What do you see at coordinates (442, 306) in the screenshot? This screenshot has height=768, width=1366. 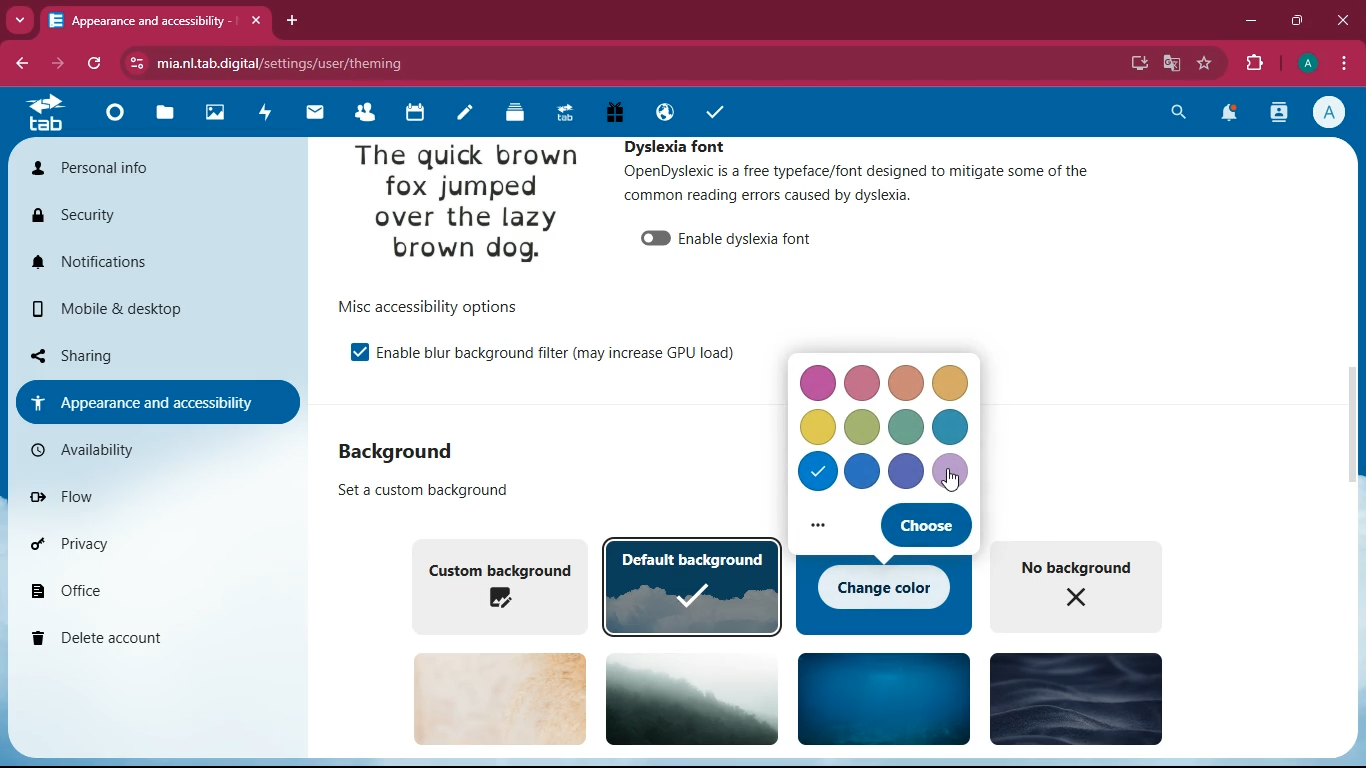 I see `misc accessibility options` at bounding box center [442, 306].